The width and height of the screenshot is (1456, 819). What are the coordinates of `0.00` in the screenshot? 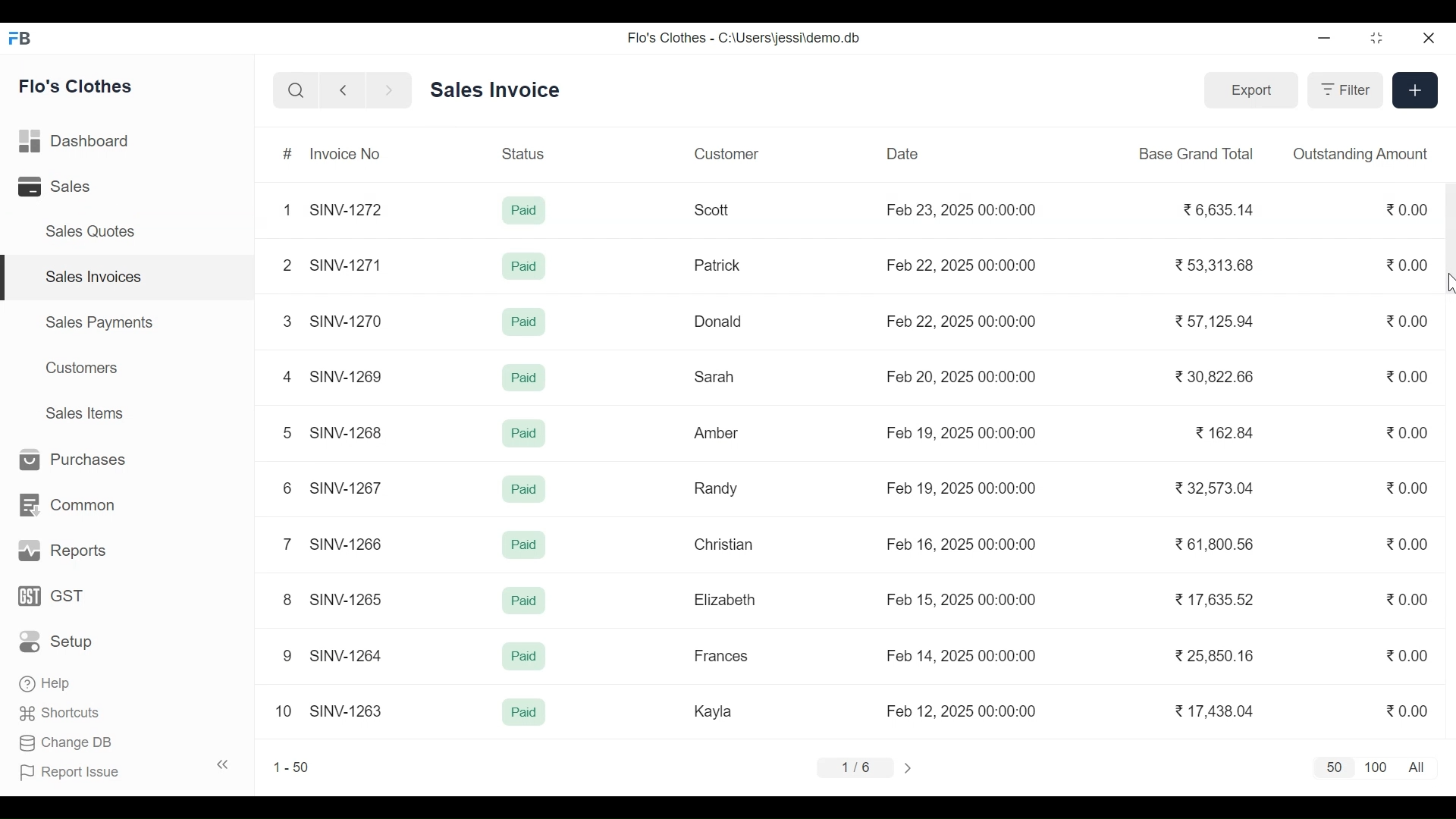 It's located at (1406, 598).